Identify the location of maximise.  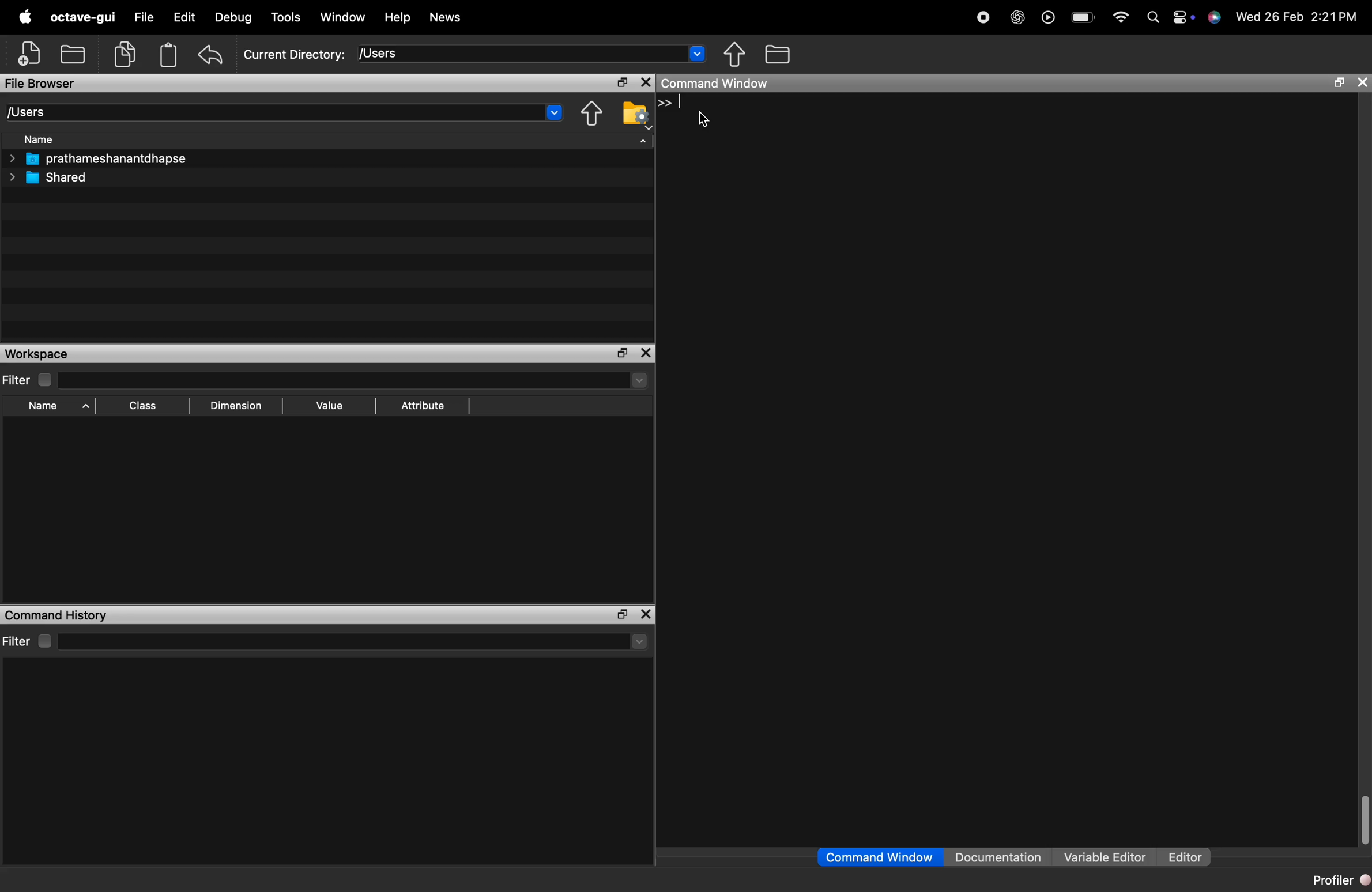
(620, 611).